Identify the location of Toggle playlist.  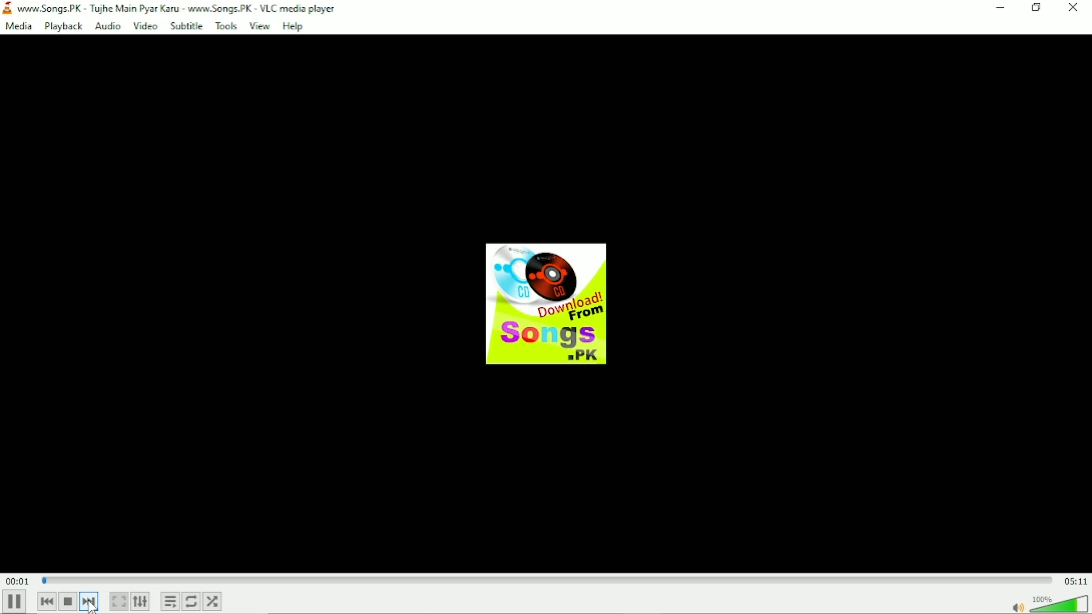
(169, 601).